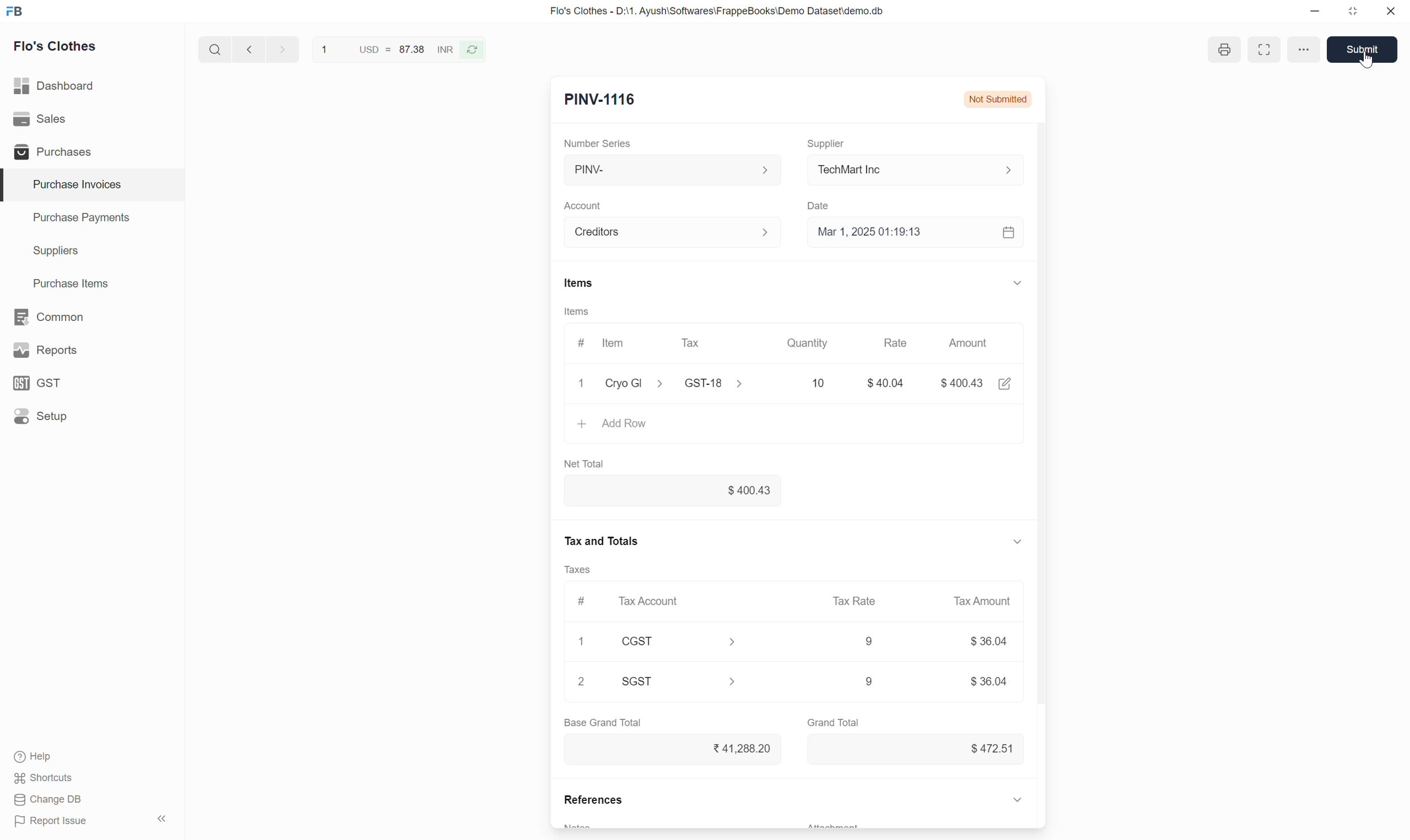 This screenshot has height=840, width=1410. I want to click on hide, so click(160, 817).